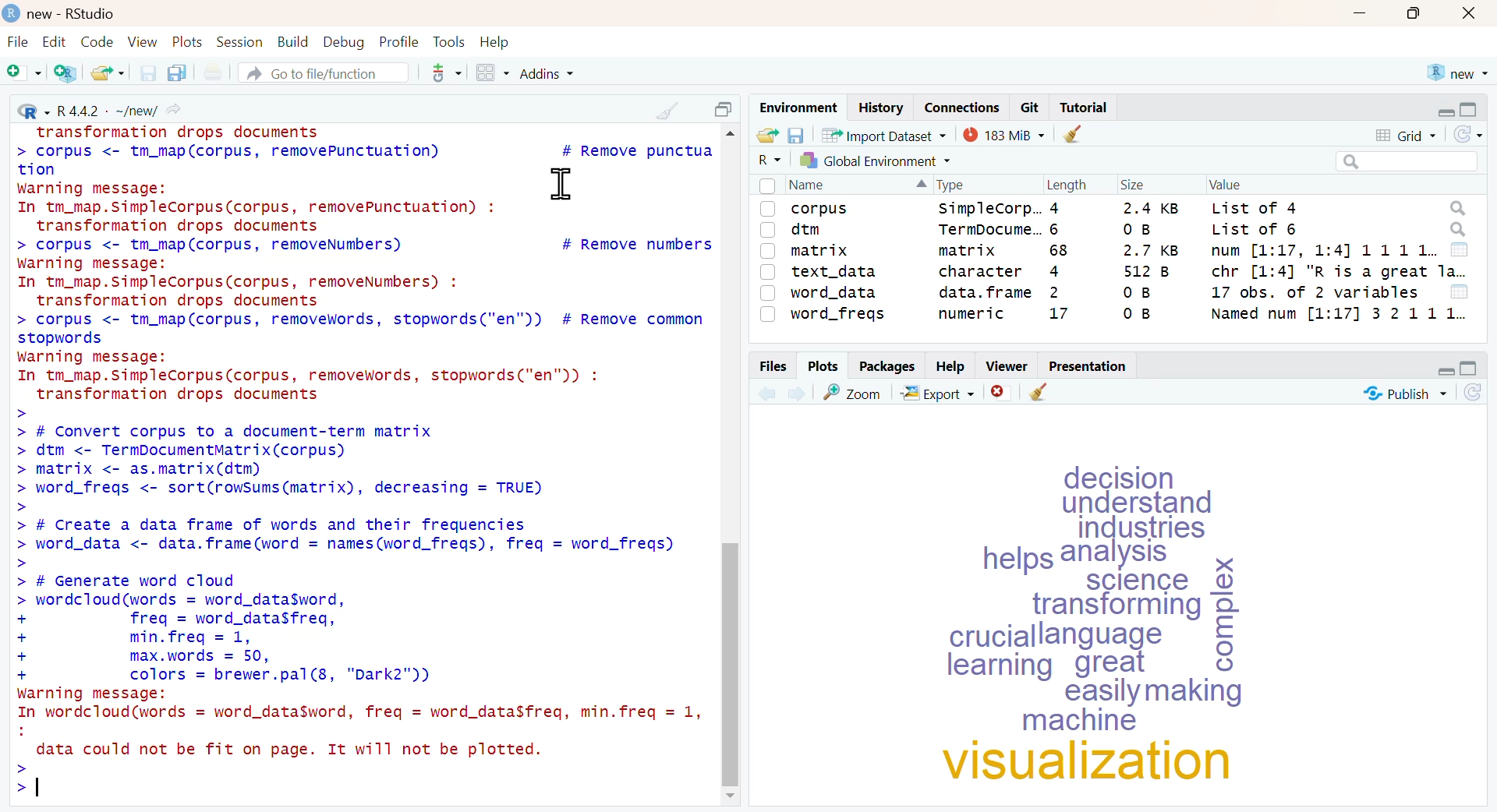 The height and width of the screenshot is (812, 1497). What do you see at coordinates (1120, 555) in the screenshot?
I see `analysis` at bounding box center [1120, 555].